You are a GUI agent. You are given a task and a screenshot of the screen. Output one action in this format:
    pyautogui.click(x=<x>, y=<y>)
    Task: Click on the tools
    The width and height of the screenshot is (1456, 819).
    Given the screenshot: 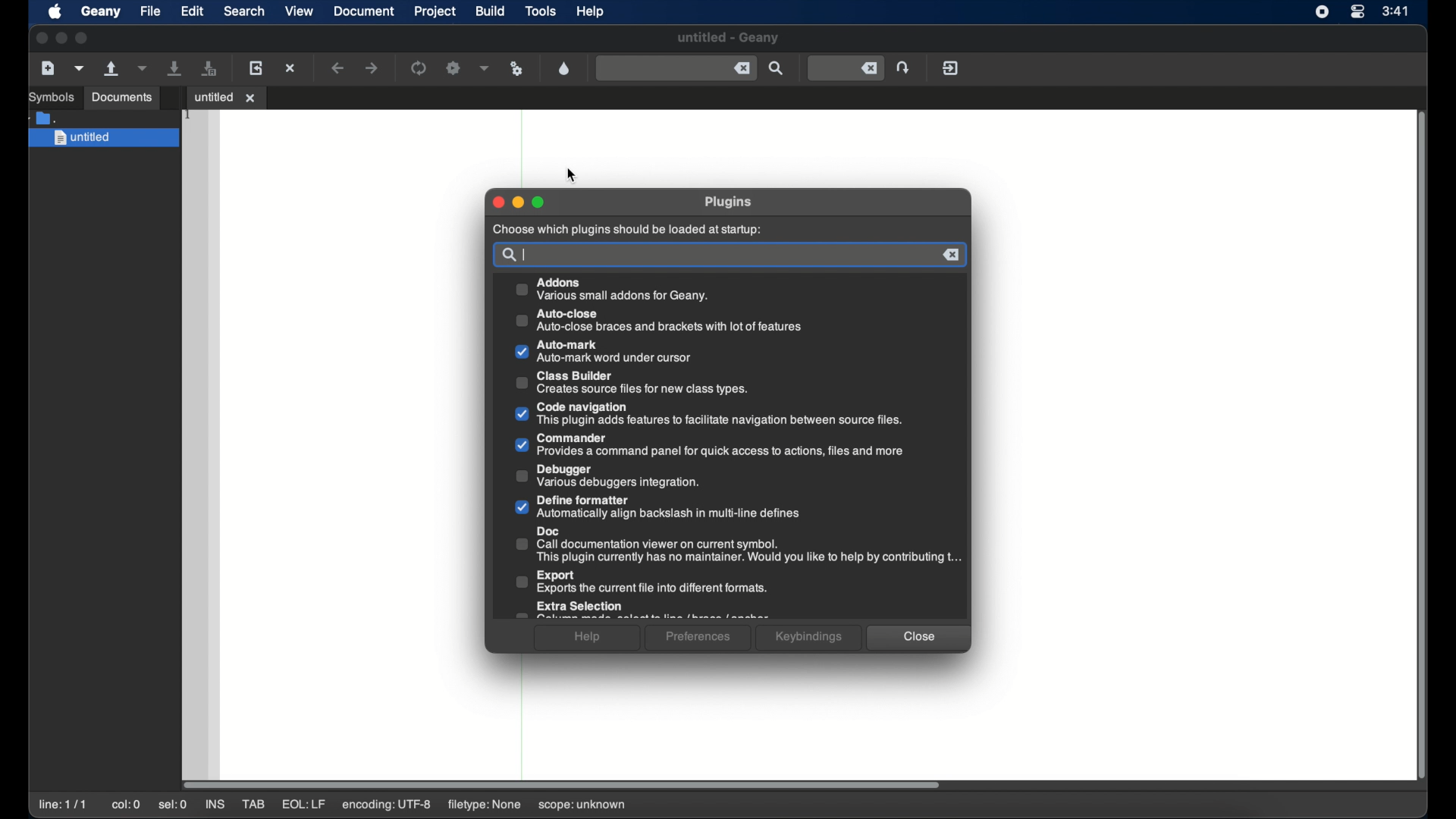 What is the action you would take?
    pyautogui.click(x=543, y=11)
    